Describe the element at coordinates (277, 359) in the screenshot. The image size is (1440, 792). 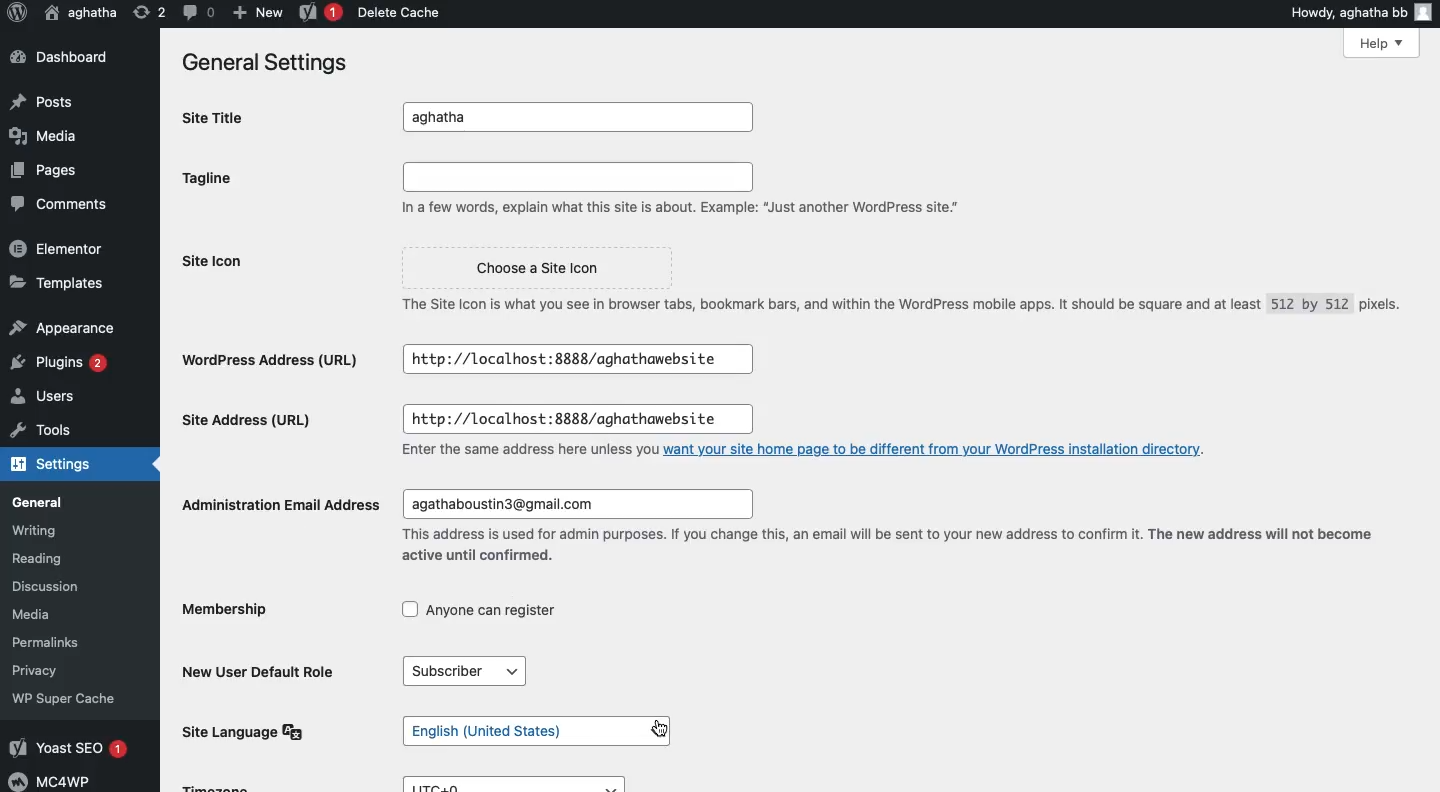
I see `Wordpress address url` at that location.